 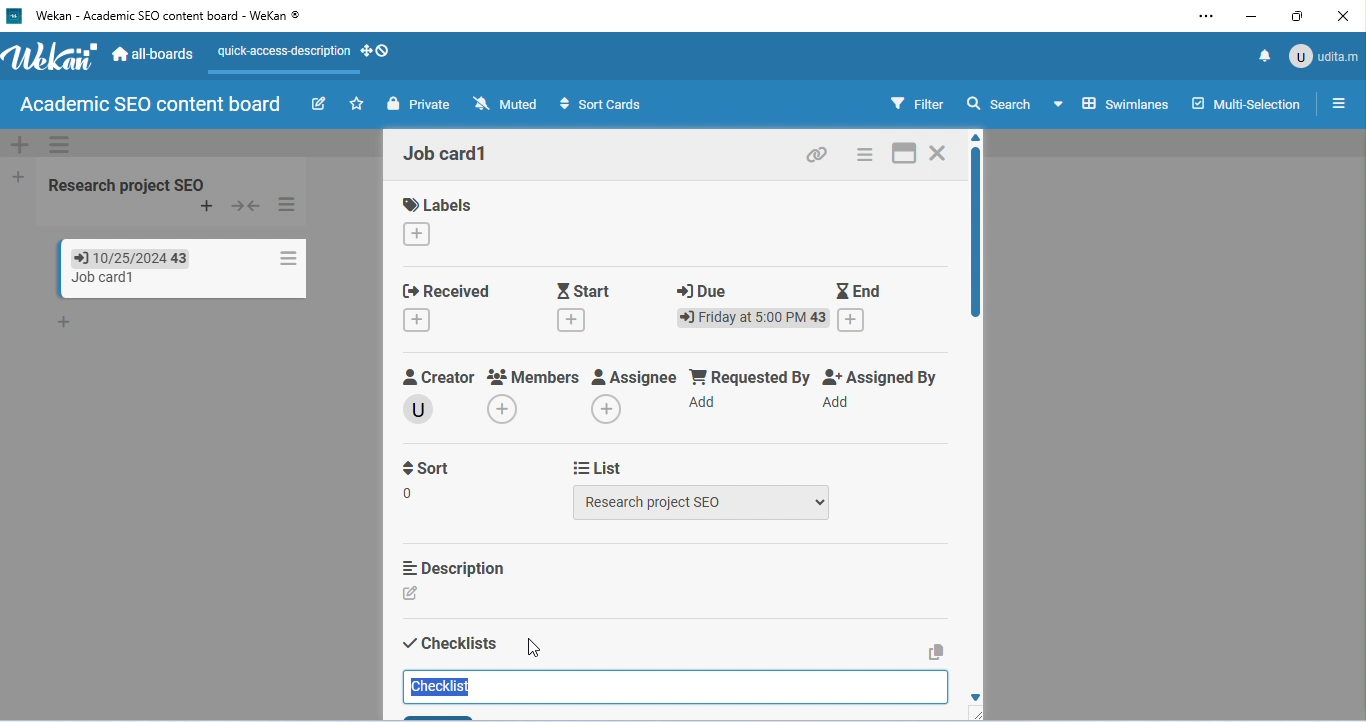 What do you see at coordinates (504, 103) in the screenshot?
I see `muted` at bounding box center [504, 103].